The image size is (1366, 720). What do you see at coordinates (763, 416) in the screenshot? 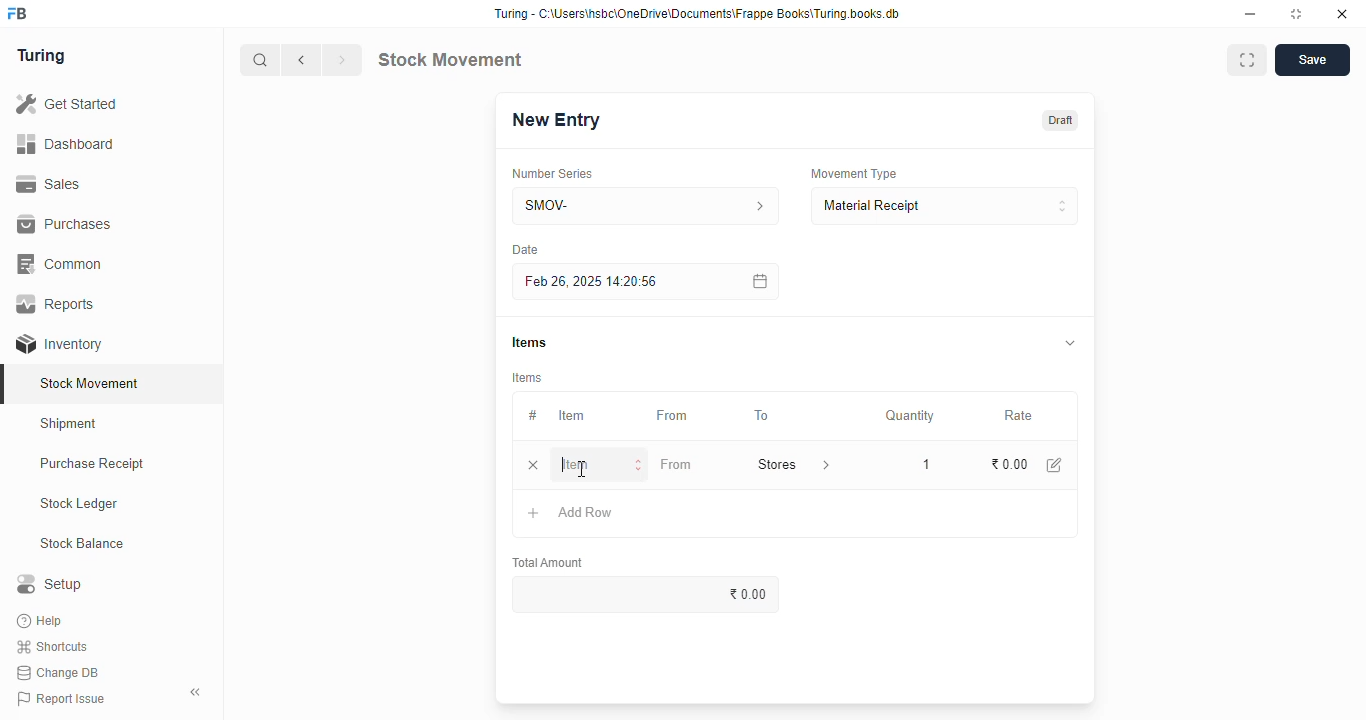
I see `to` at bounding box center [763, 416].